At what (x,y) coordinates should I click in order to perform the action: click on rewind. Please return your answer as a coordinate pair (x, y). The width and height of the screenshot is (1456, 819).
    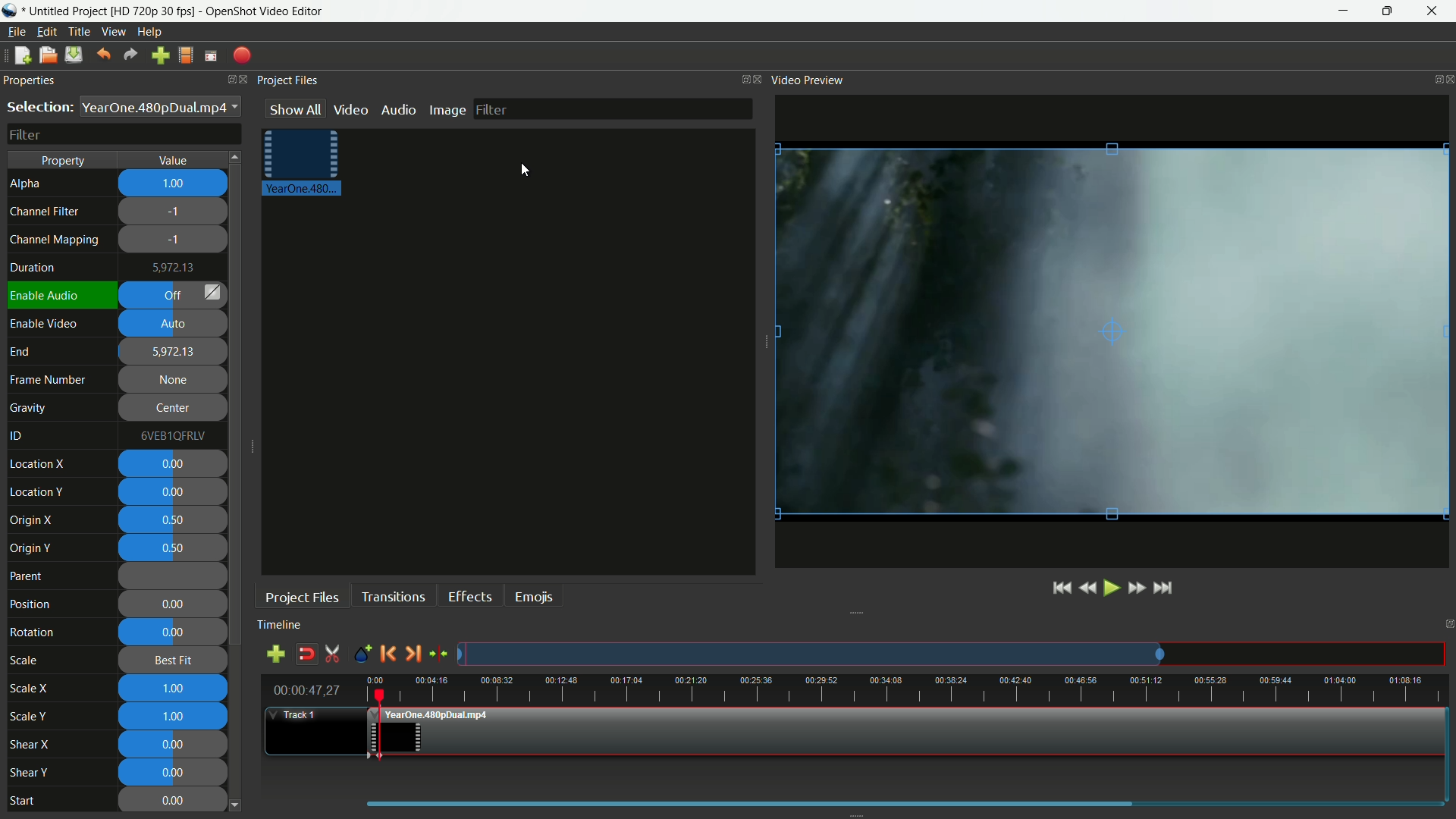
    Looking at the image, I should click on (1015, 588).